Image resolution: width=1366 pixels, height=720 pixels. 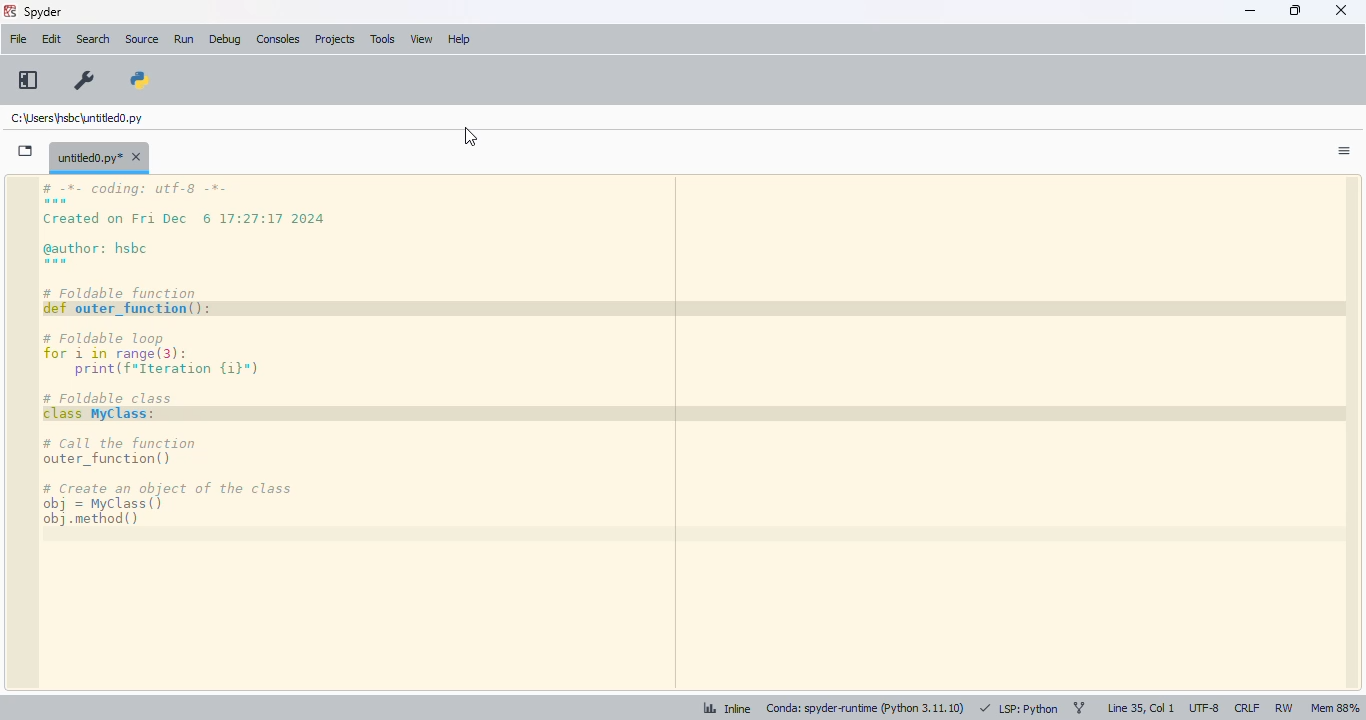 What do you see at coordinates (94, 39) in the screenshot?
I see `search` at bounding box center [94, 39].